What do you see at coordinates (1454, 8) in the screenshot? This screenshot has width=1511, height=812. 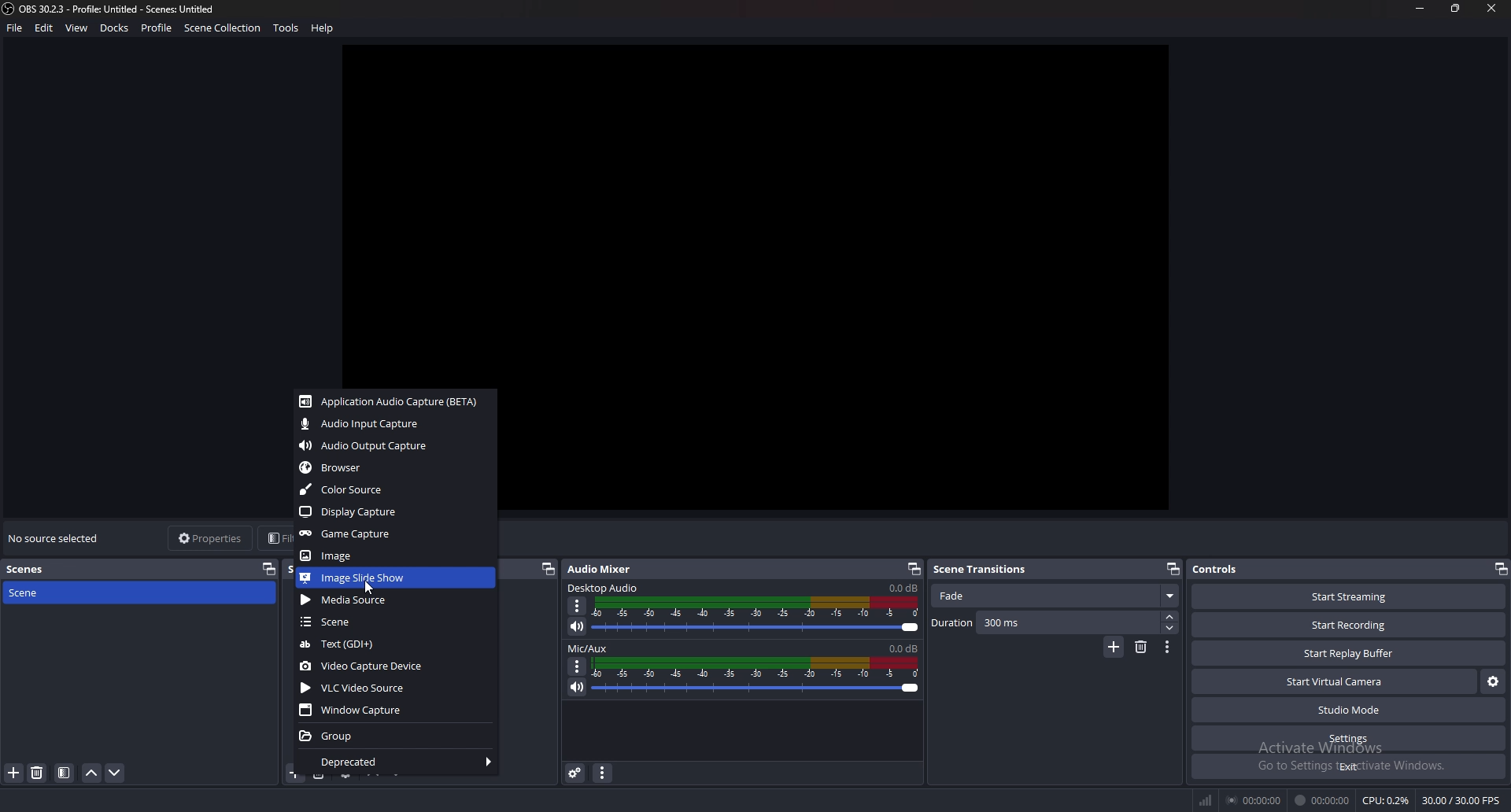 I see `resize` at bounding box center [1454, 8].